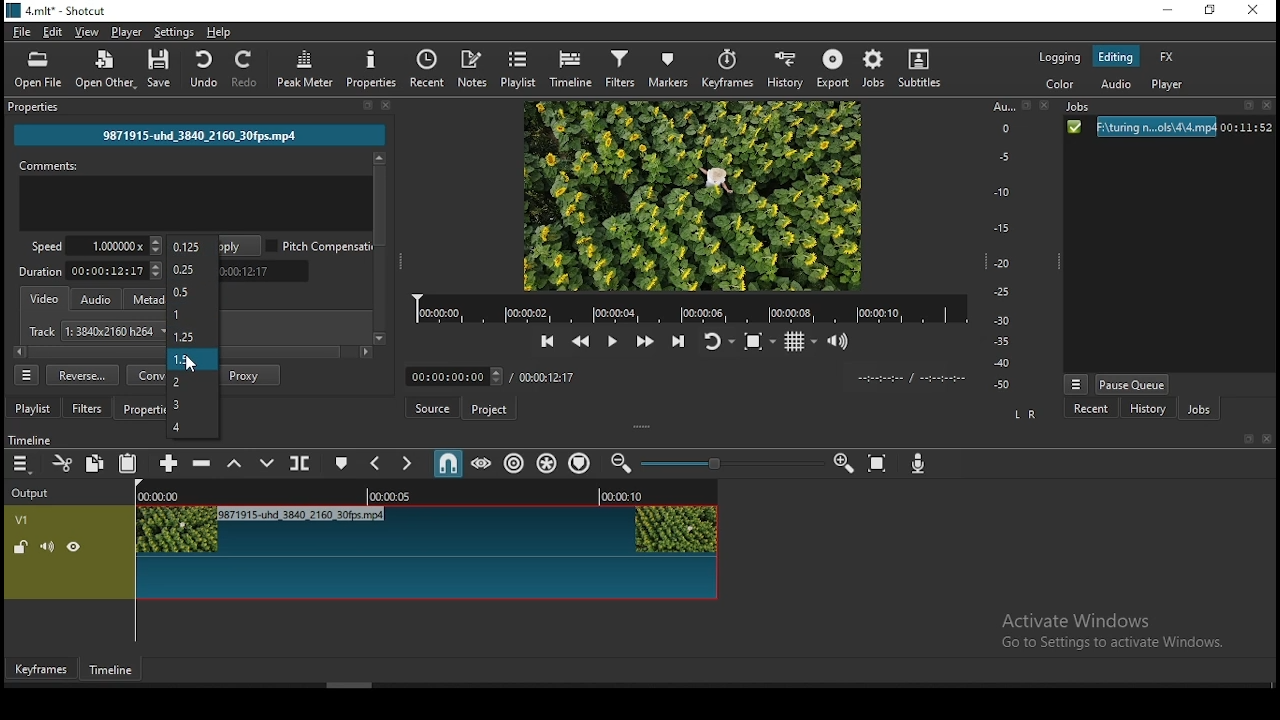  I want to click on settings, so click(175, 32).